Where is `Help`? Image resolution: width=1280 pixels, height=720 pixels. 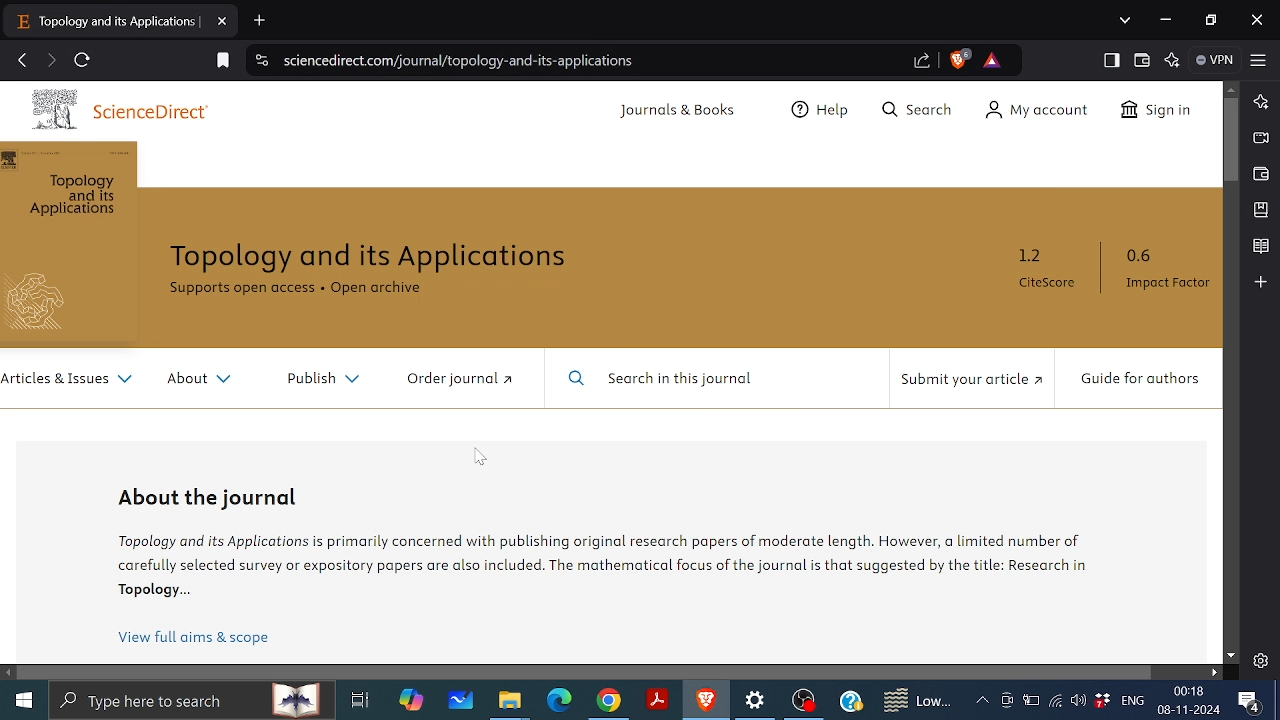
Help is located at coordinates (850, 700).